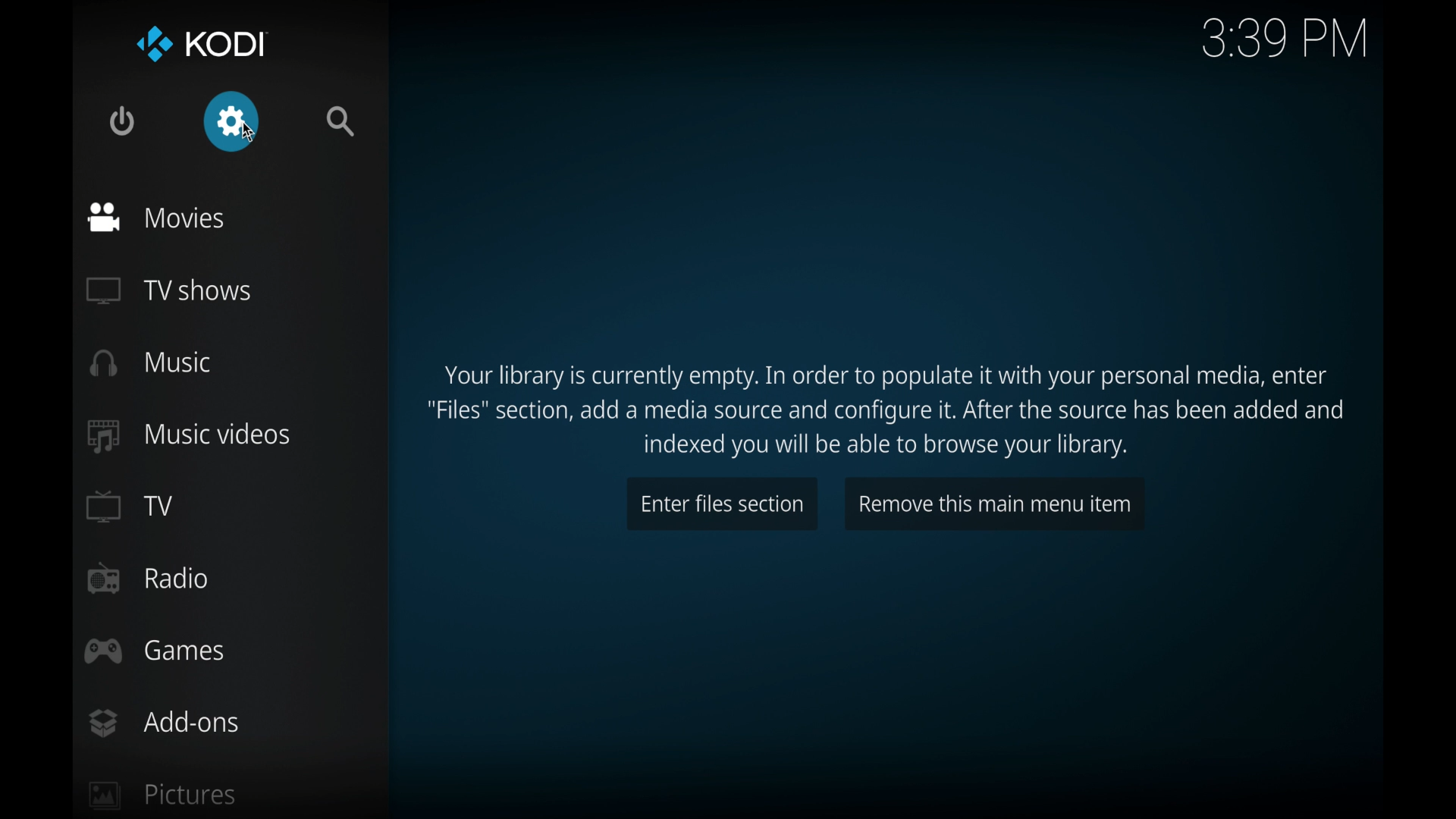  What do you see at coordinates (130, 506) in the screenshot?
I see `TV` at bounding box center [130, 506].